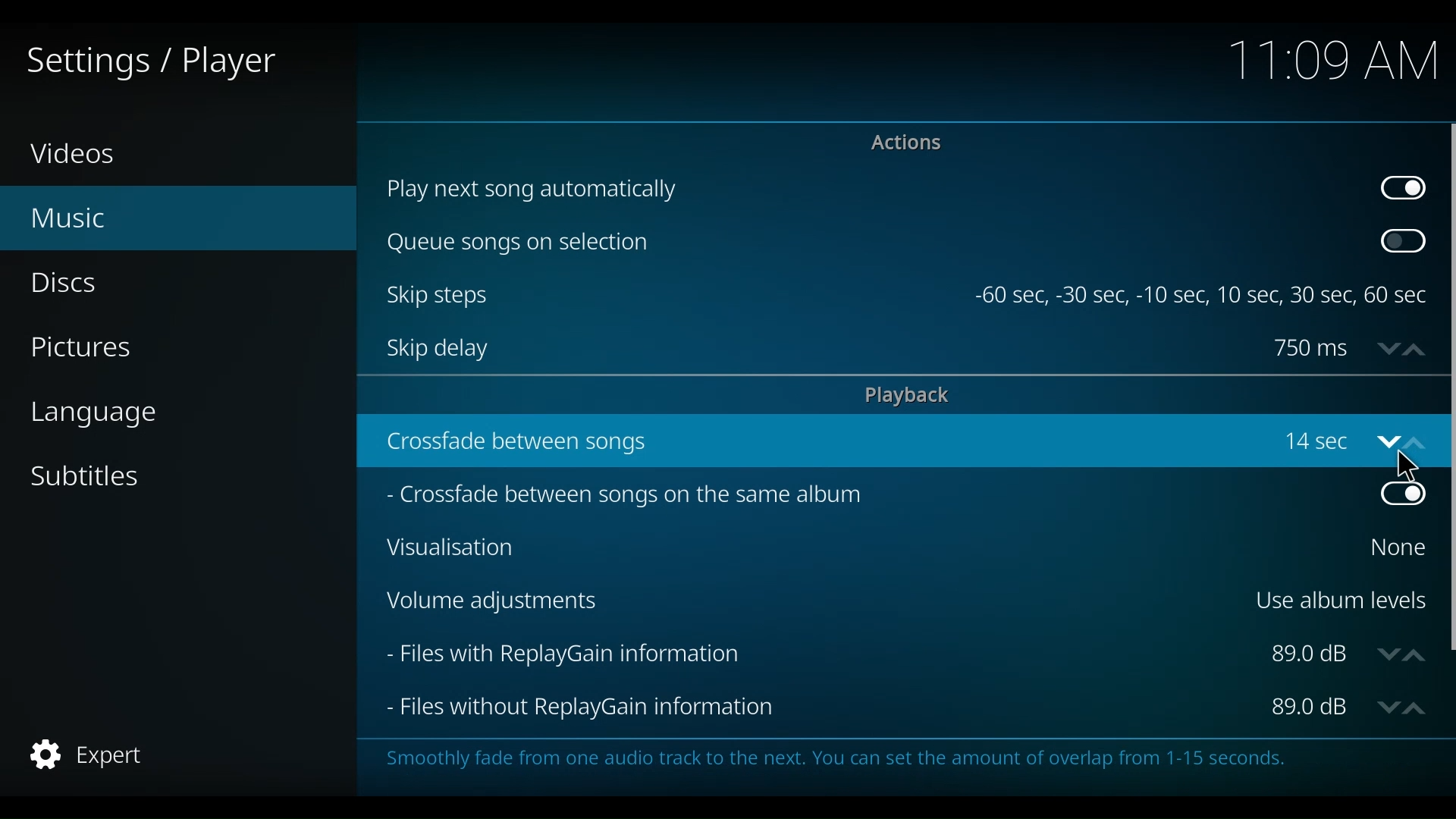 This screenshot has height=819, width=1456. What do you see at coordinates (1317, 441) in the screenshot?
I see `14sec` at bounding box center [1317, 441].